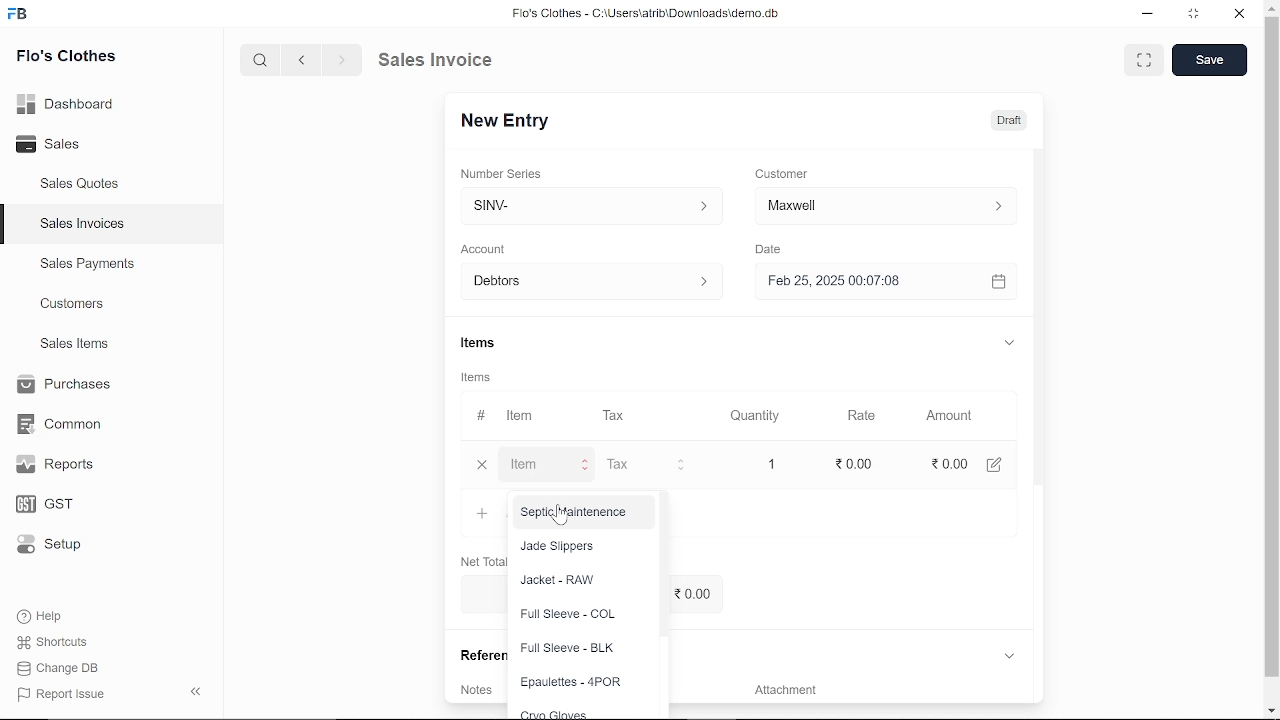 This screenshot has width=1280, height=720. I want to click on search, so click(263, 61).